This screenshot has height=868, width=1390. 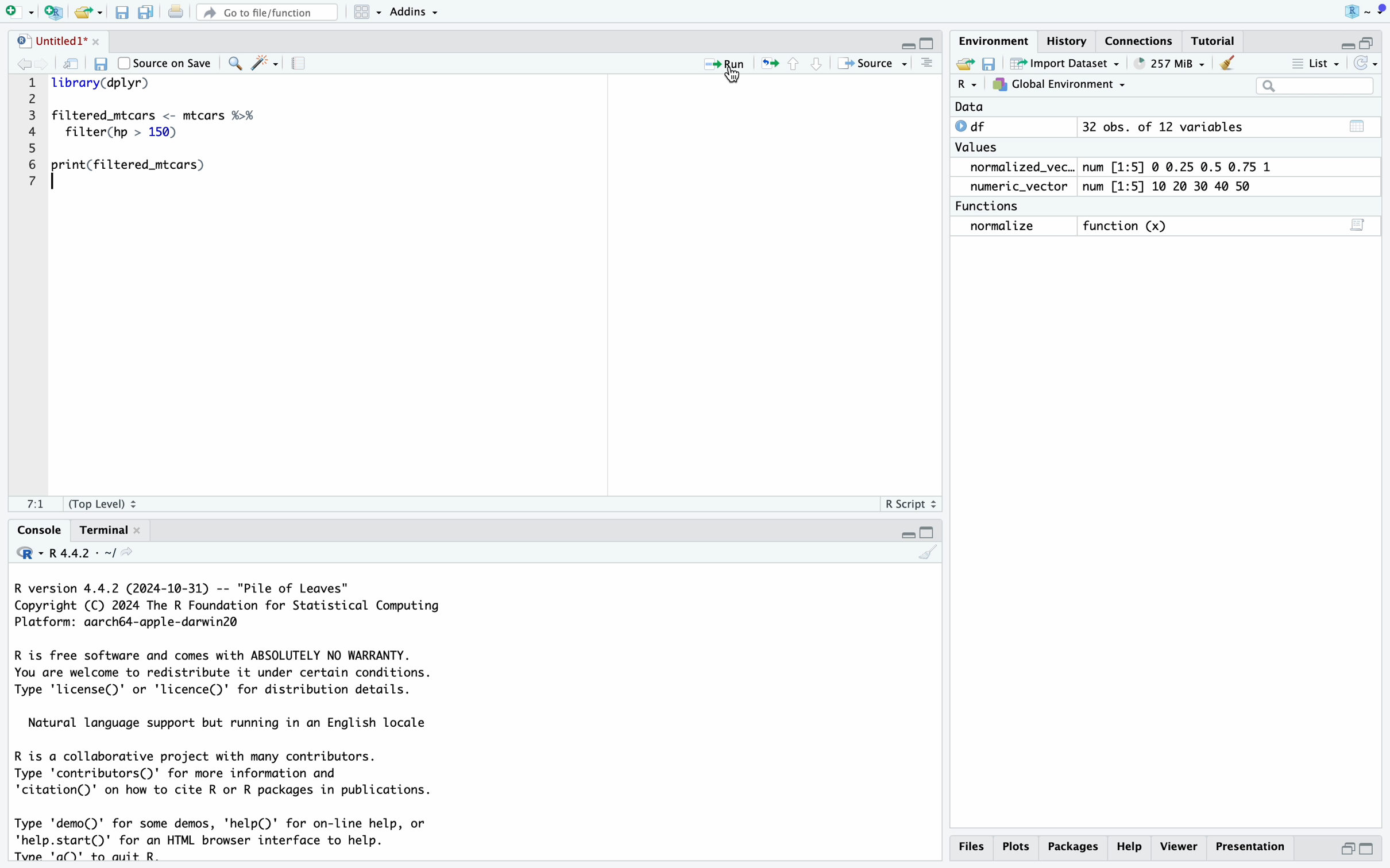 I want to click on save, so click(x=104, y=65).